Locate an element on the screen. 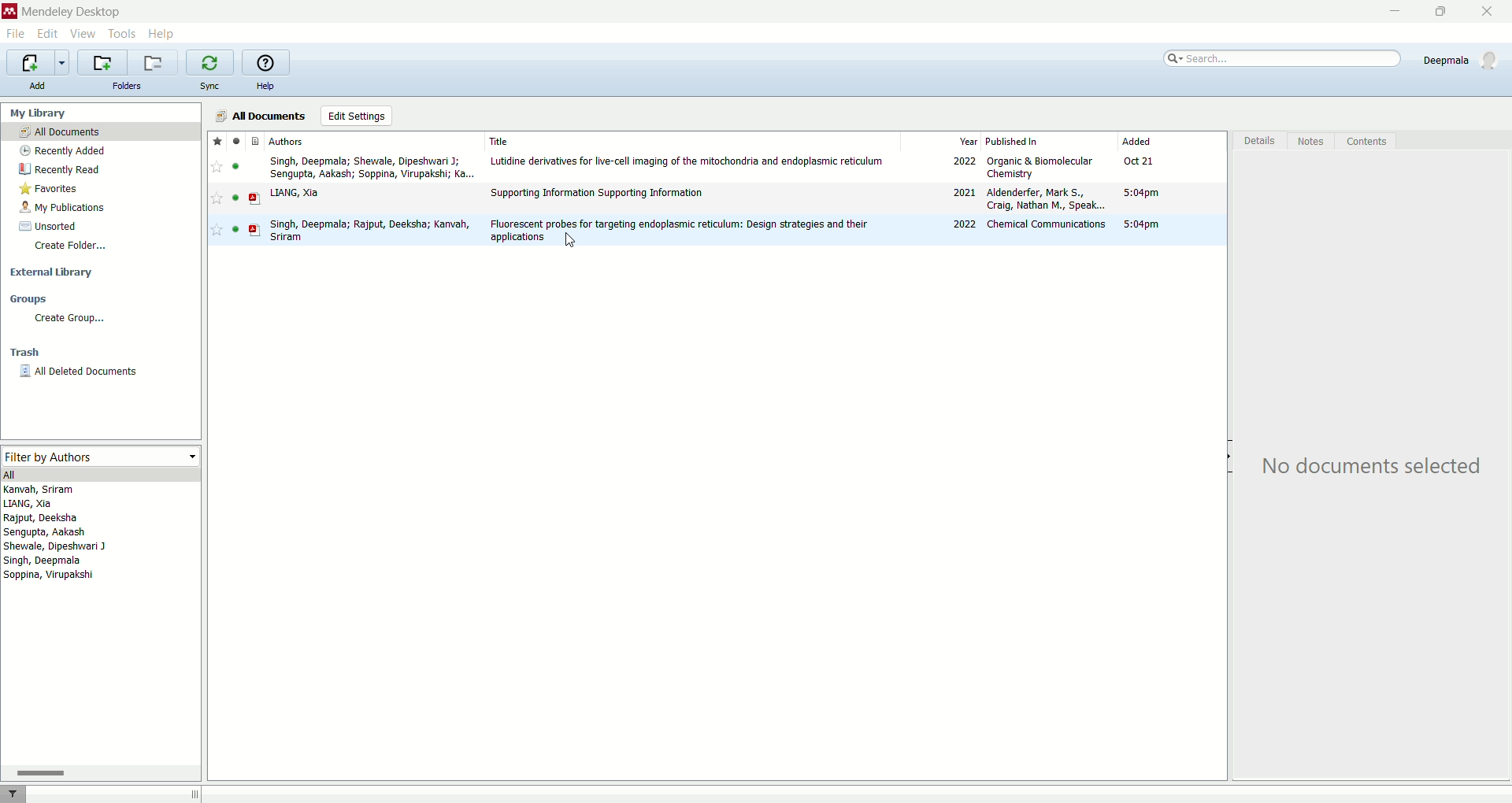  filter by authors is located at coordinates (98, 454).